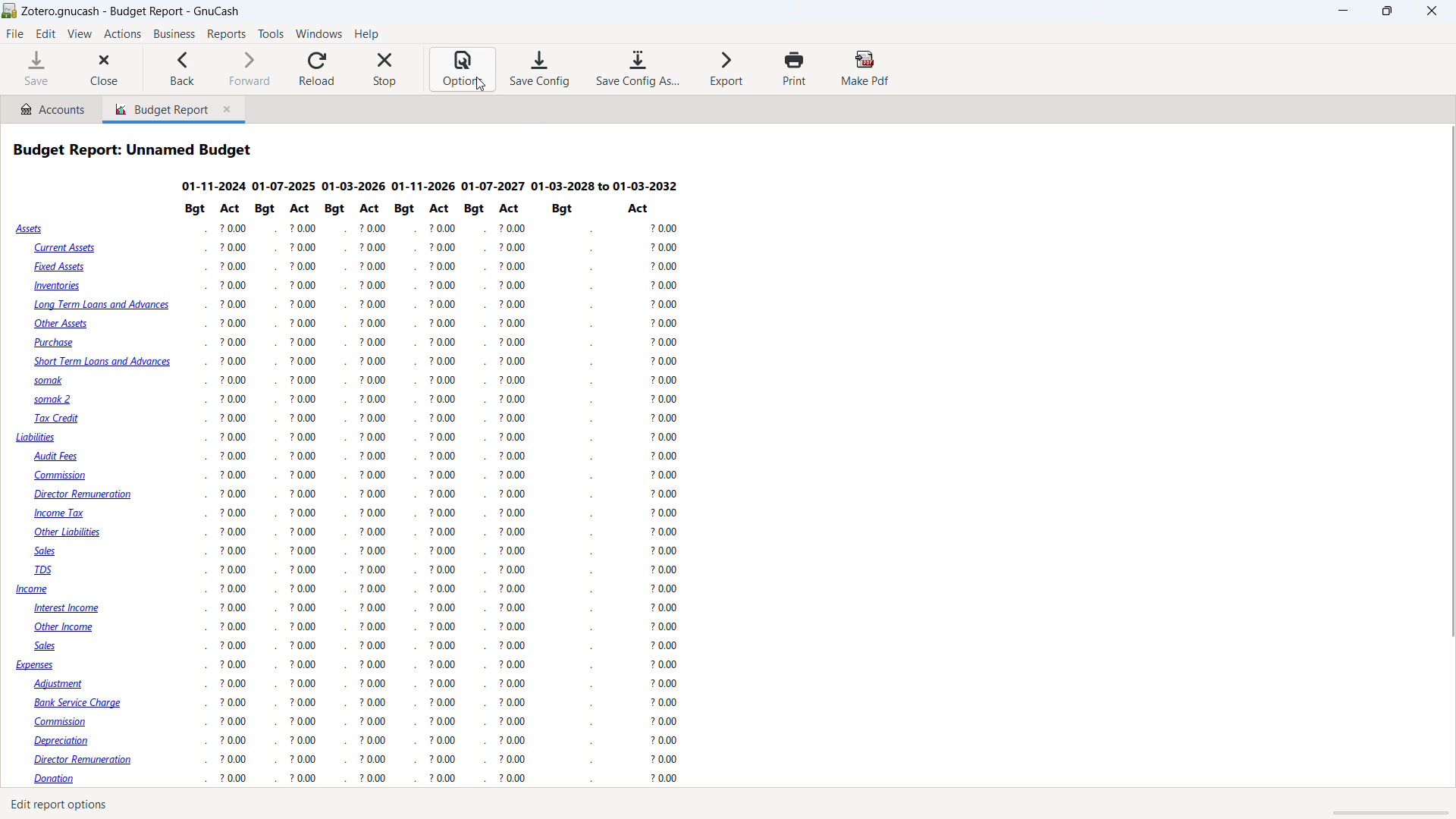 The height and width of the screenshot is (819, 1456). I want to click on maximize, so click(1386, 11).